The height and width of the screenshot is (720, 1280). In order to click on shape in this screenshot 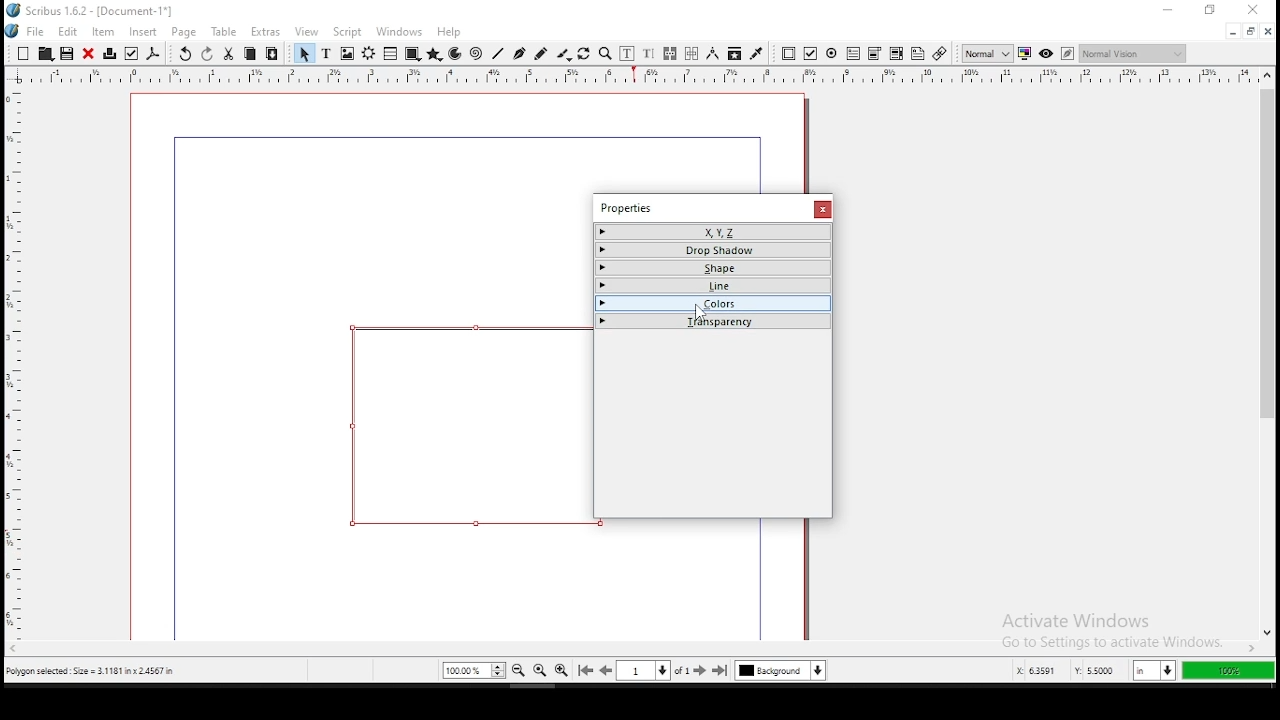, I will do `click(412, 54)`.